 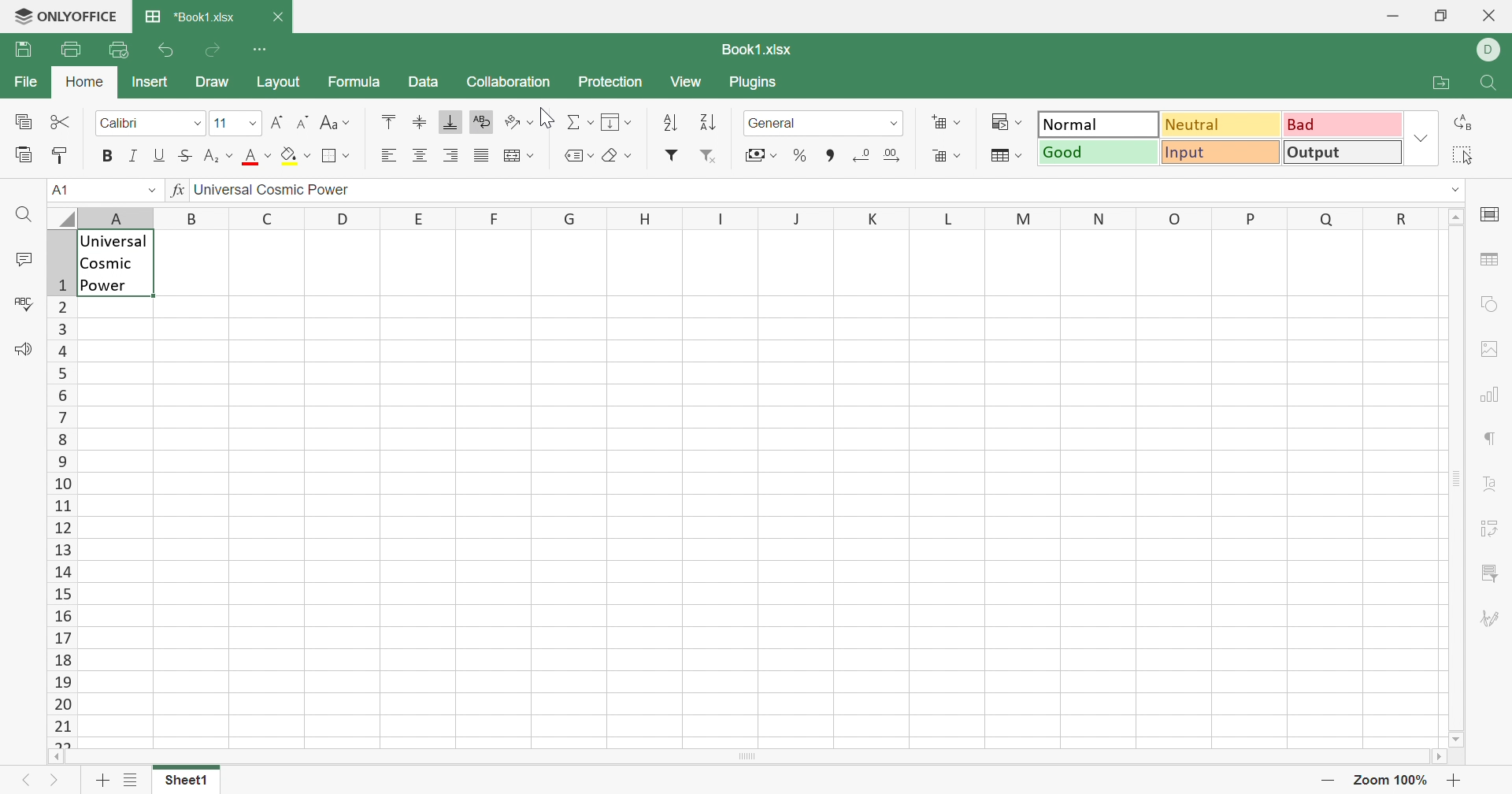 I want to click on Universal Cosmic Power, so click(x=280, y=191).